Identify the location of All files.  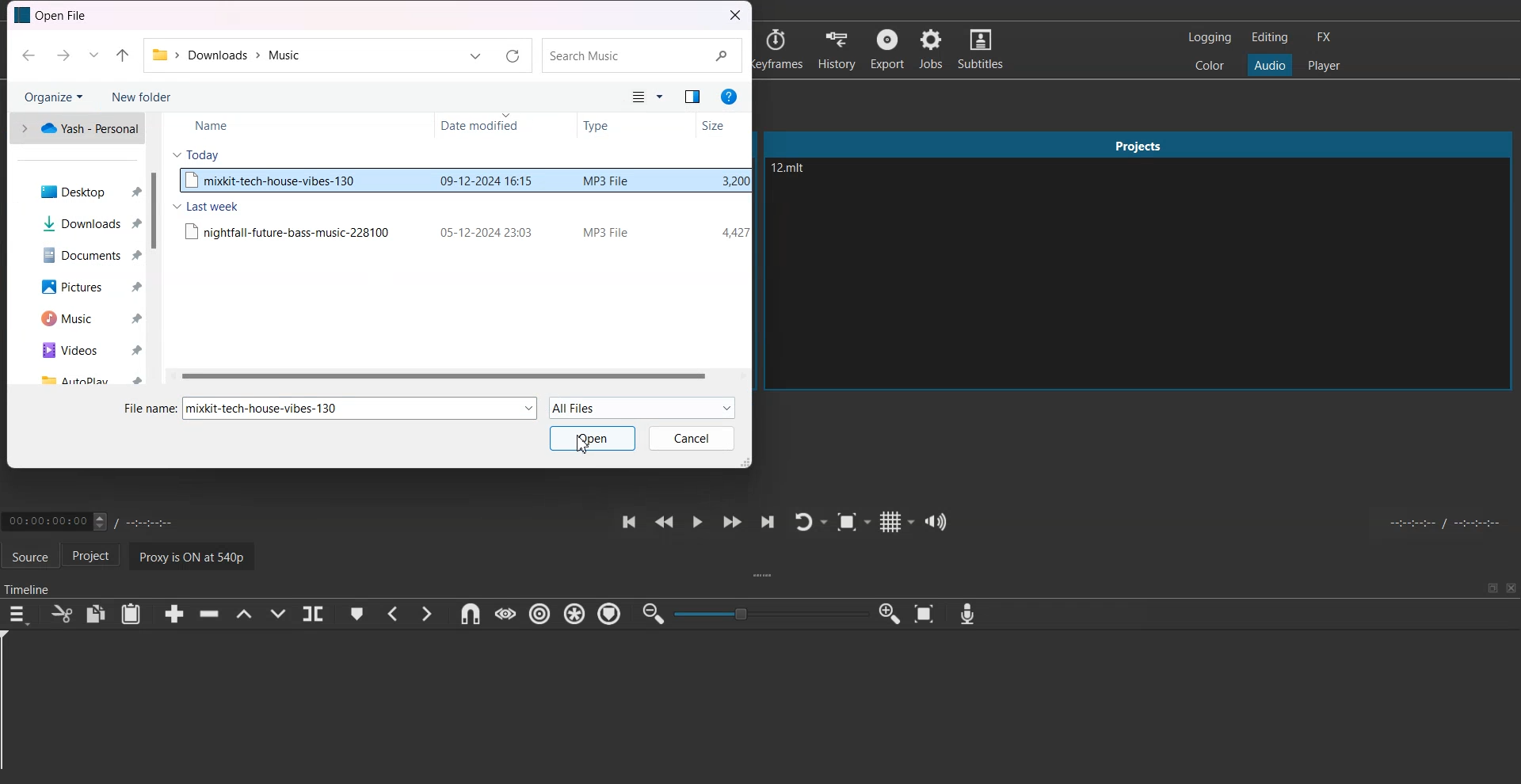
(630, 97).